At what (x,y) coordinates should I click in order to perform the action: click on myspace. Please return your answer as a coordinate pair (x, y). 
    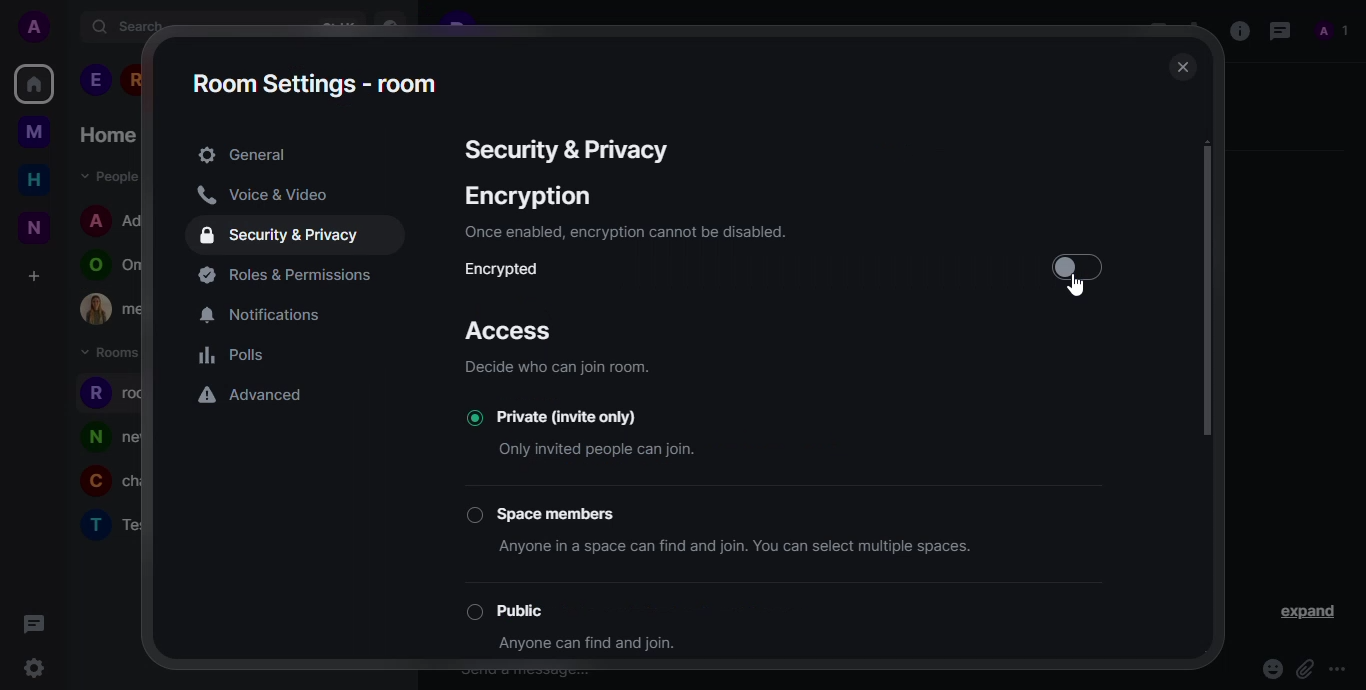
    Looking at the image, I should click on (34, 131).